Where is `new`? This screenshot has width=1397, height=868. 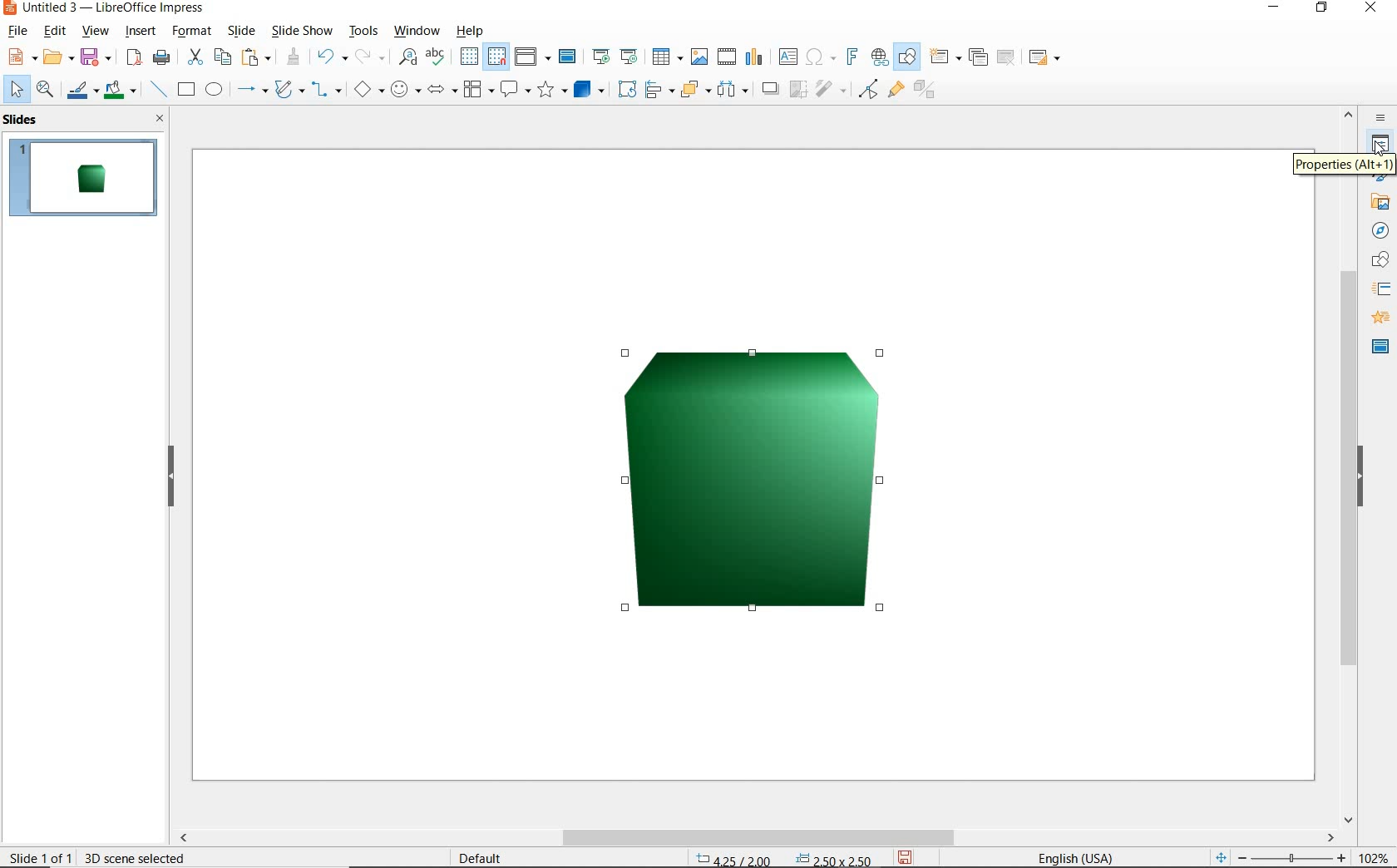 new is located at coordinates (21, 57).